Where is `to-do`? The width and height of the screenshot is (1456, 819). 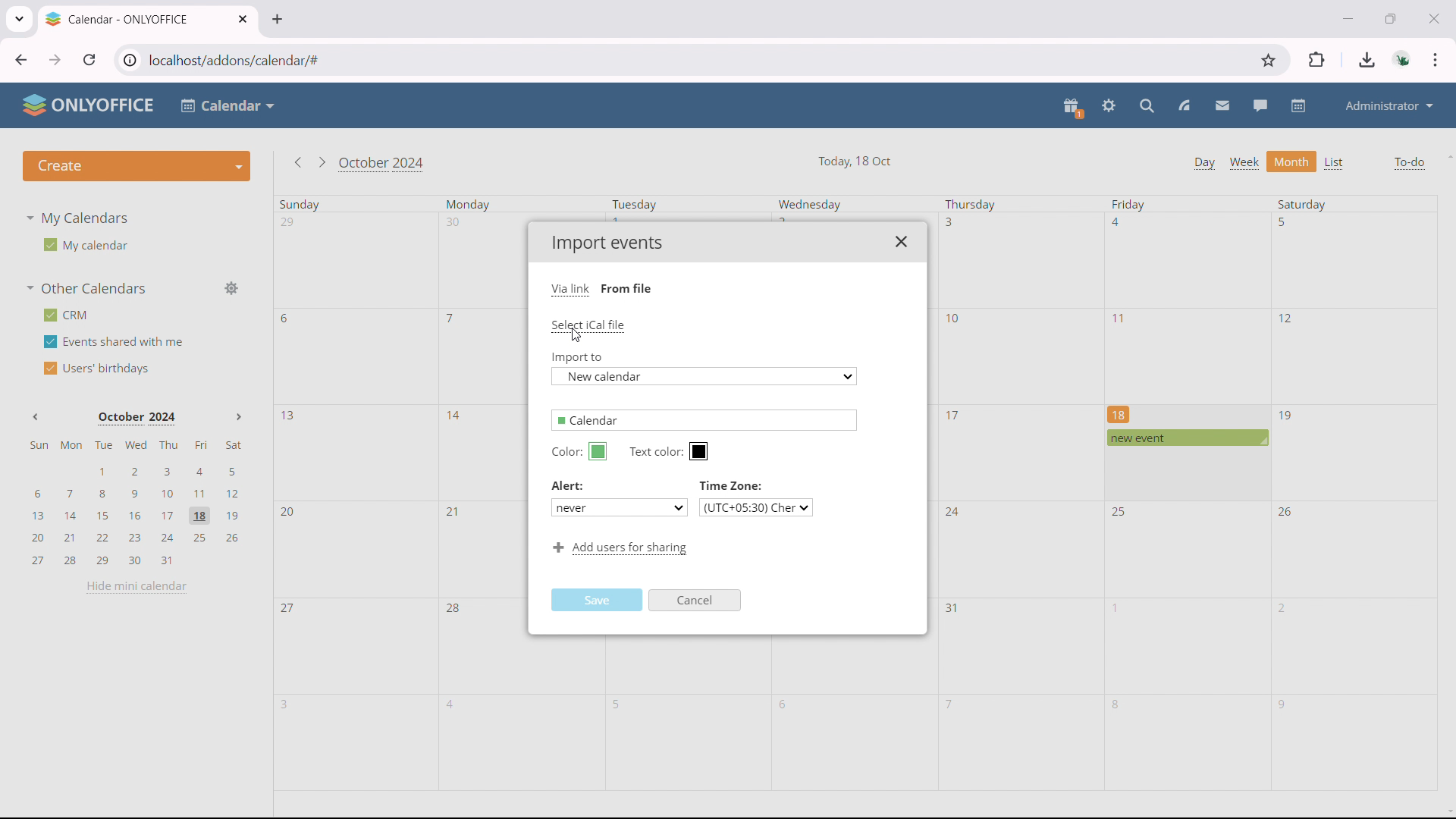
to-do is located at coordinates (1409, 163).